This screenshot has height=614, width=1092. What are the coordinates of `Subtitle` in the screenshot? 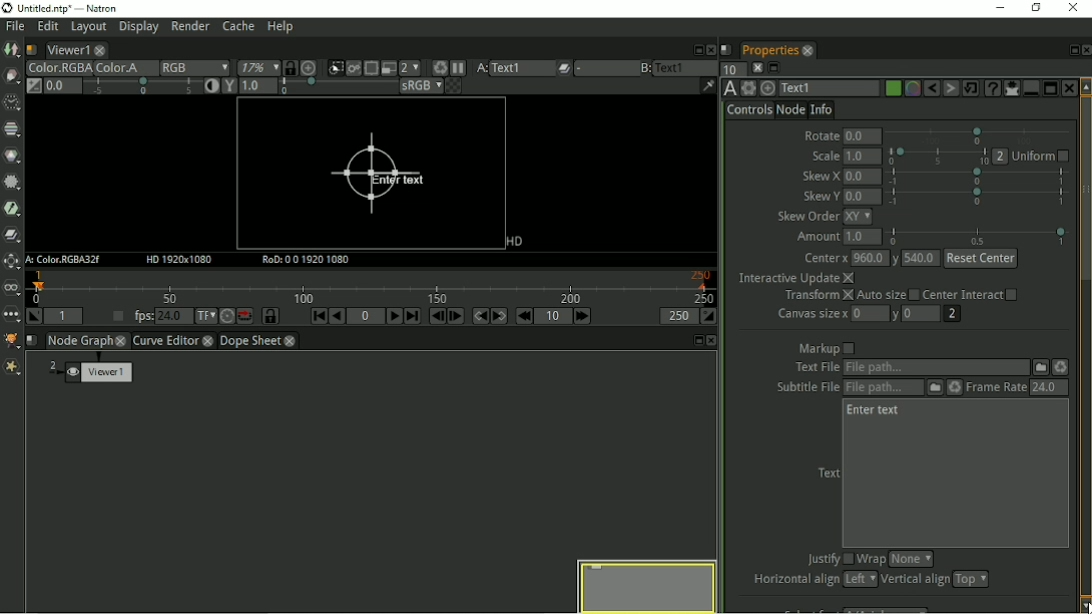 It's located at (935, 388).